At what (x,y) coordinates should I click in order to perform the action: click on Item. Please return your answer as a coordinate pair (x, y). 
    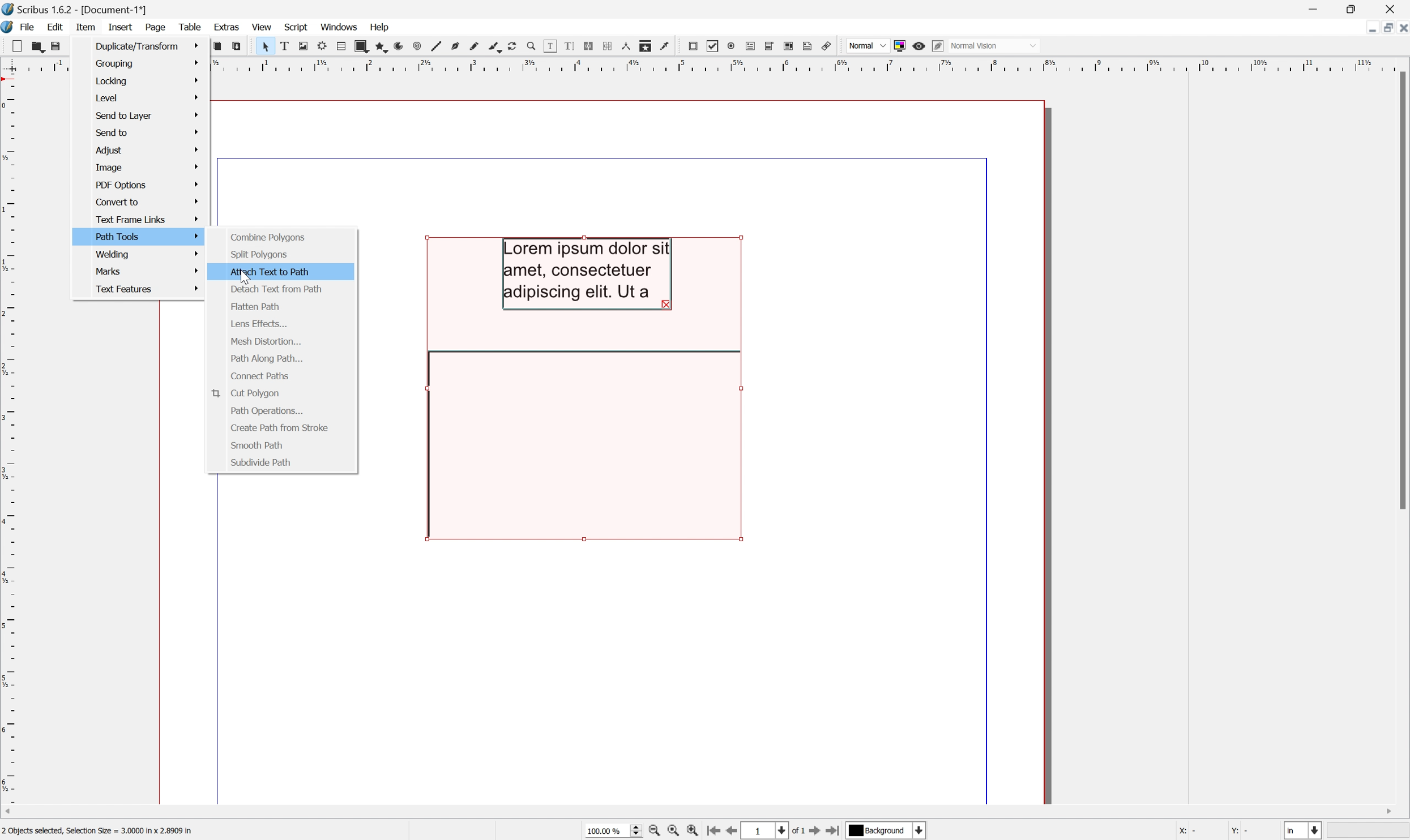
    Looking at the image, I should click on (84, 26).